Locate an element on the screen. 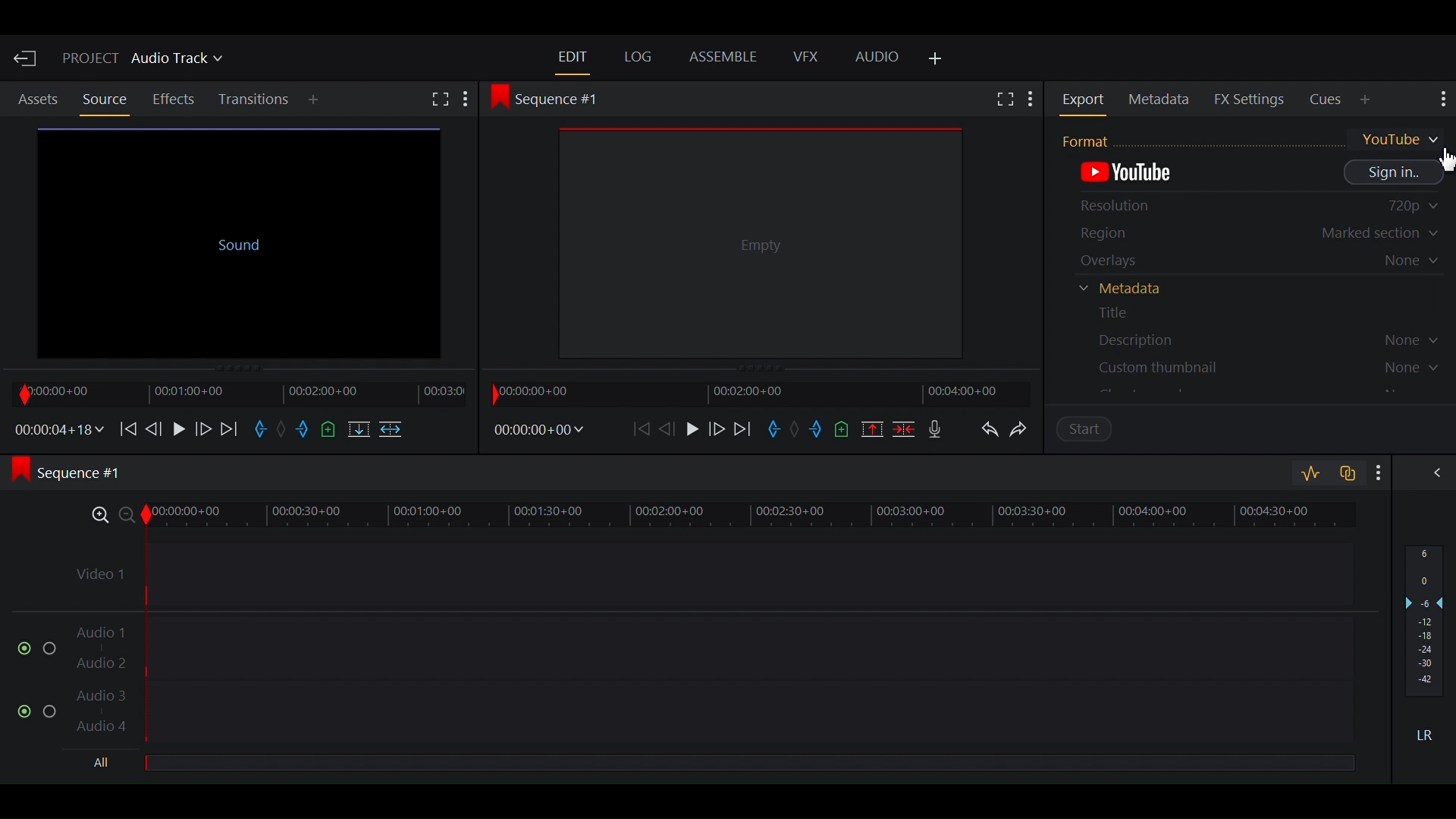  Assemble is located at coordinates (726, 58).